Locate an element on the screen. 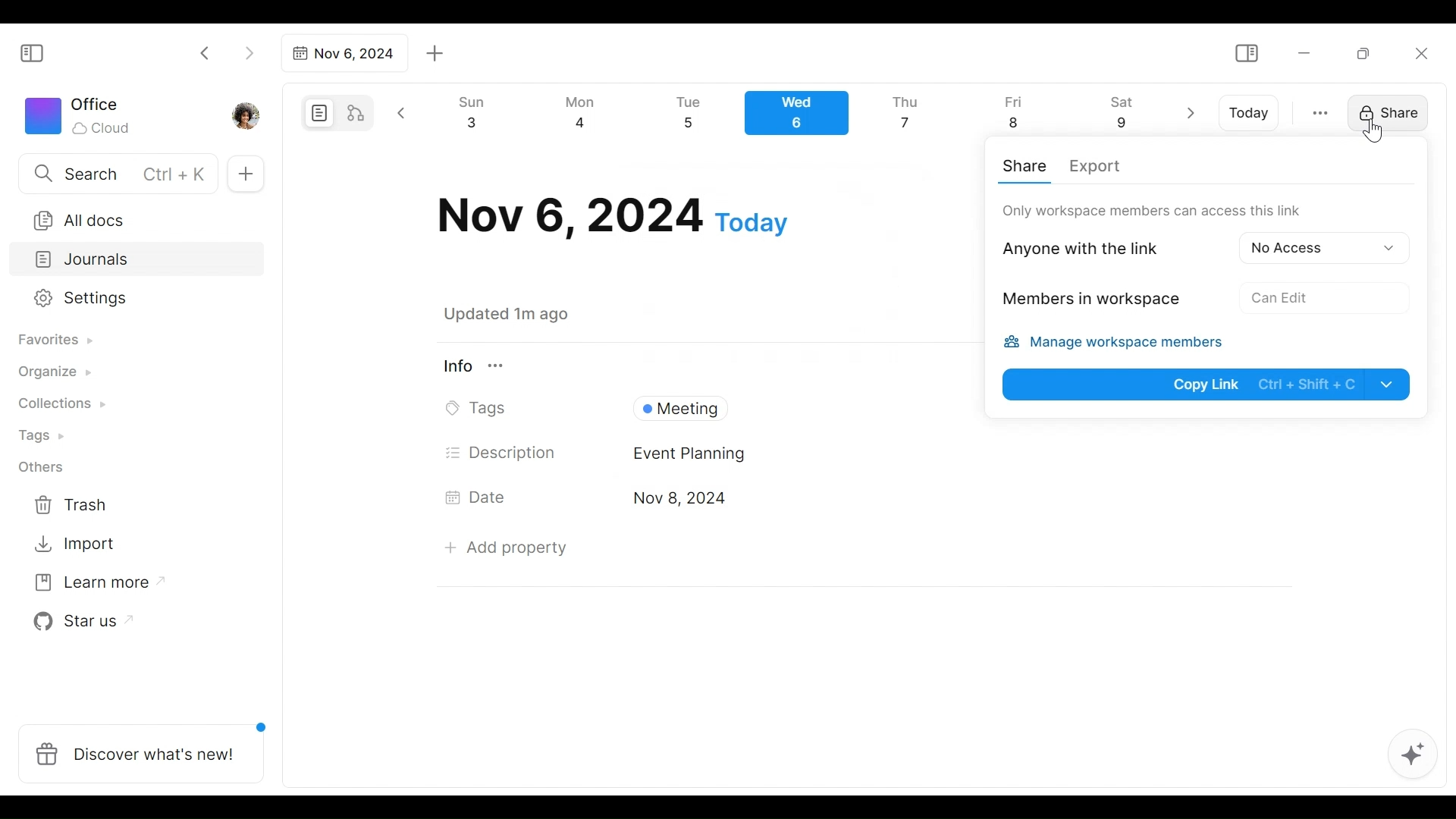 Image resolution: width=1456 pixels, height=819 pixels. Manage workspace members is located at coordinates (1122, 344).